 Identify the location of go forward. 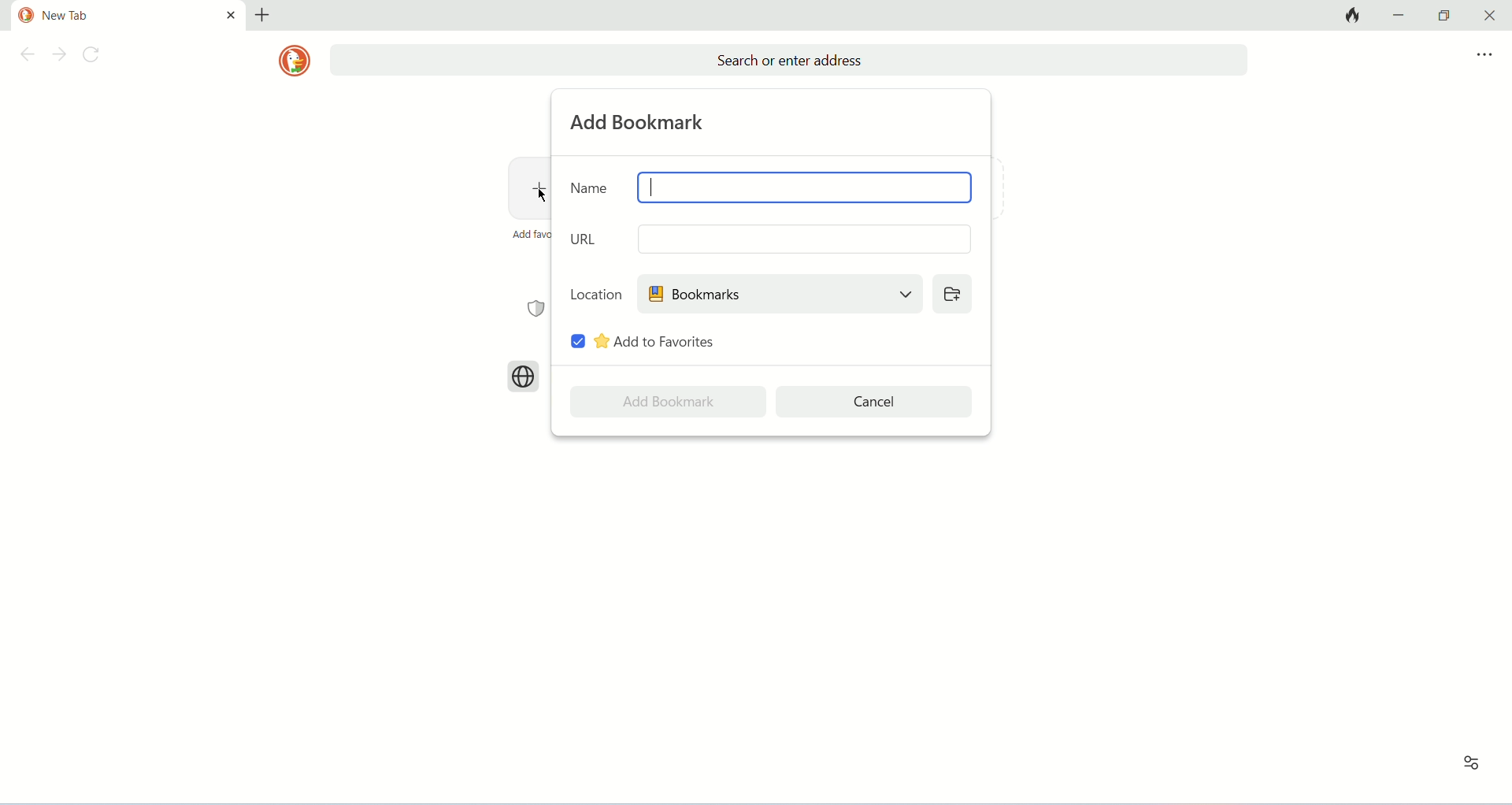
(59, 56).